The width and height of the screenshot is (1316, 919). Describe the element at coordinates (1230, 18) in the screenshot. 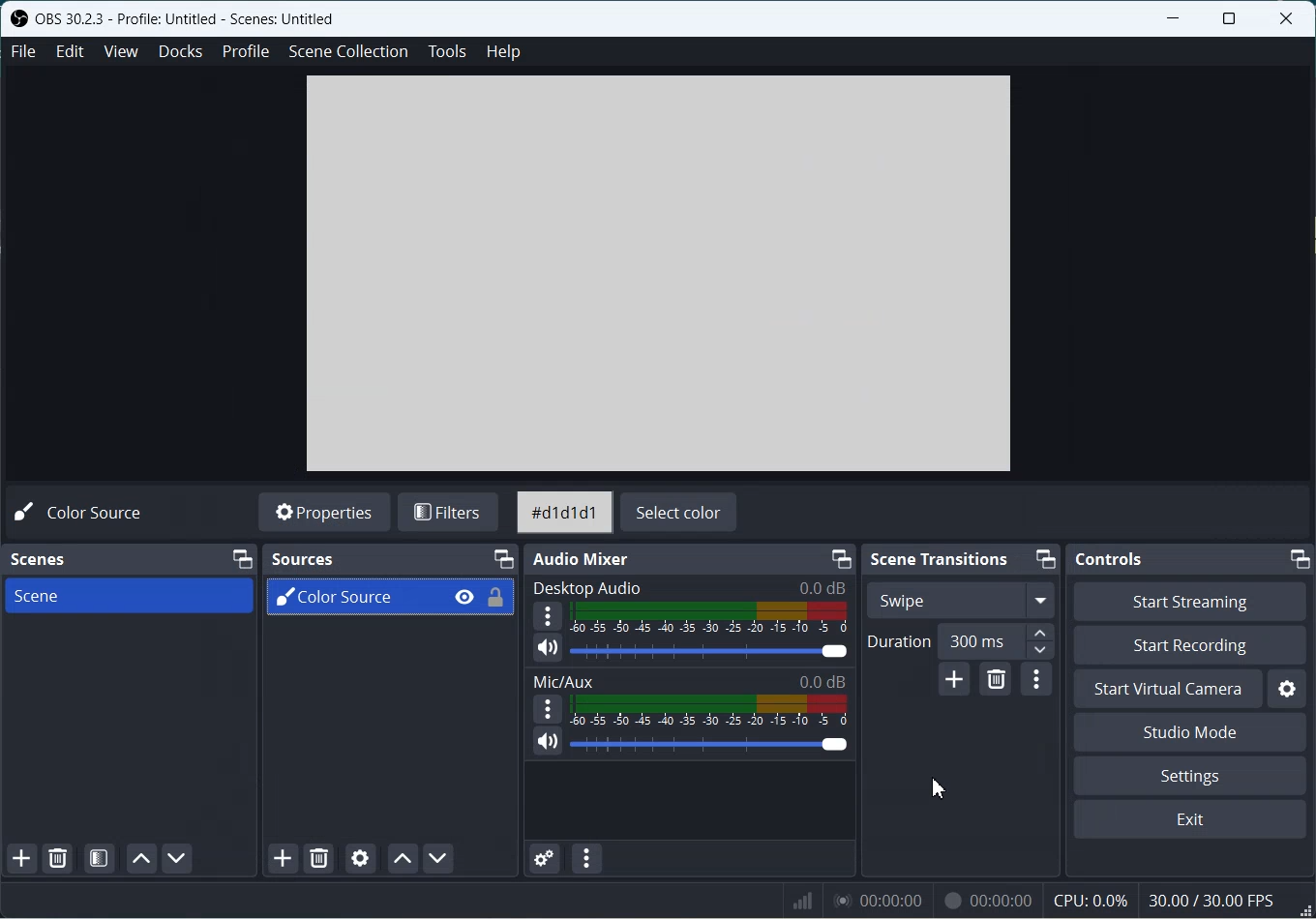

I see `Maximize` at that location.